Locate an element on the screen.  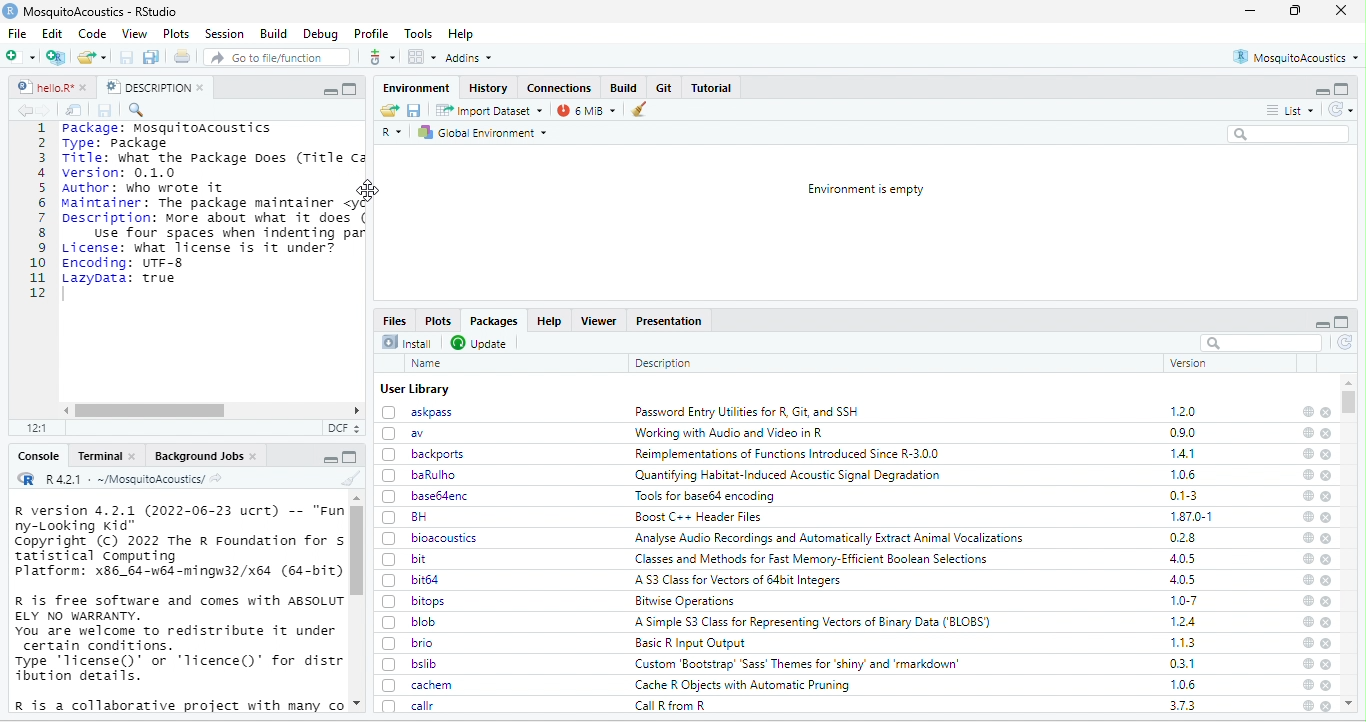
brio is located at coordinates (408, 642).